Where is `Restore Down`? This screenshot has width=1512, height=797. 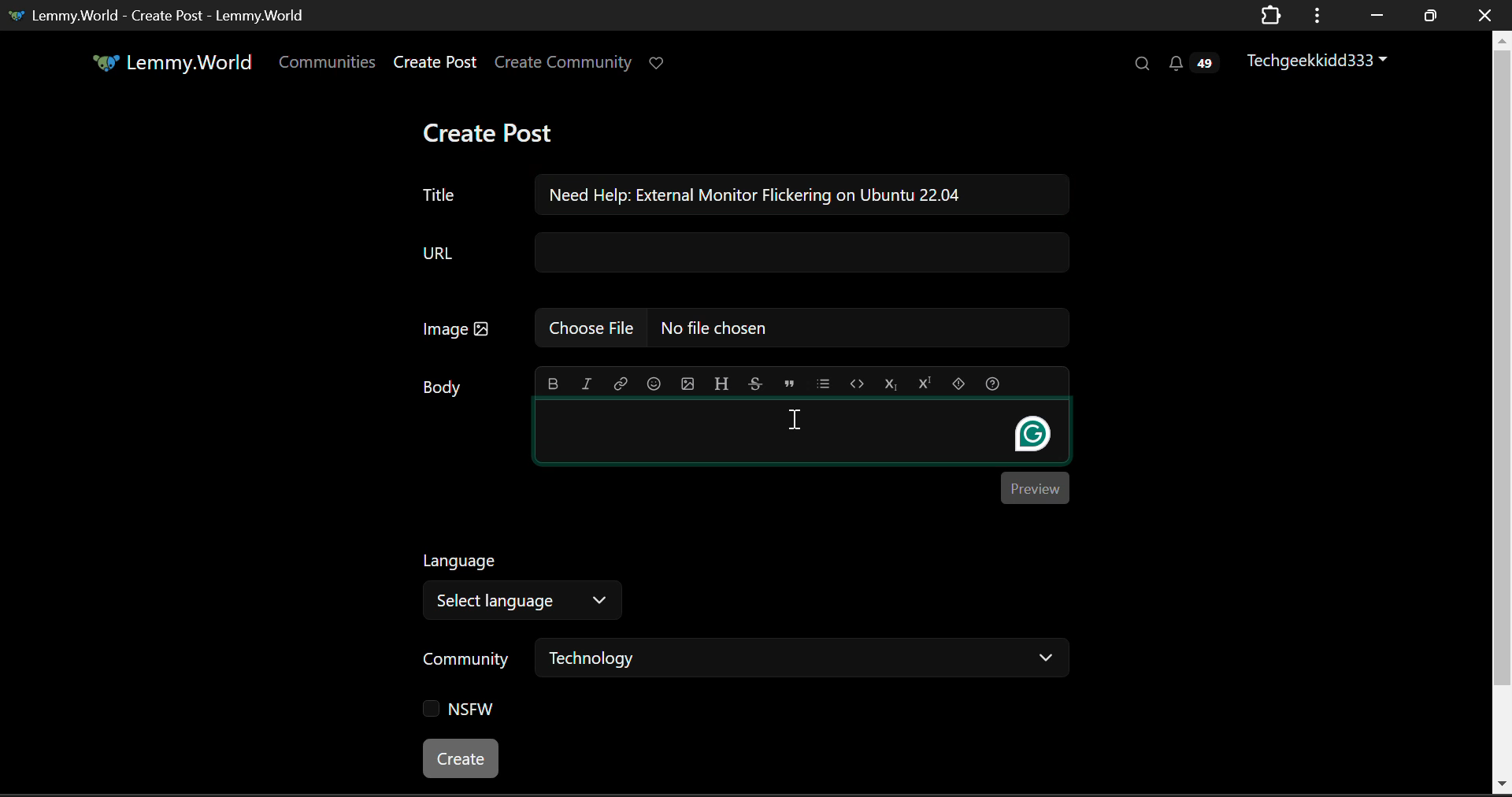 Restore Down is located at coordinates (1373, 13).